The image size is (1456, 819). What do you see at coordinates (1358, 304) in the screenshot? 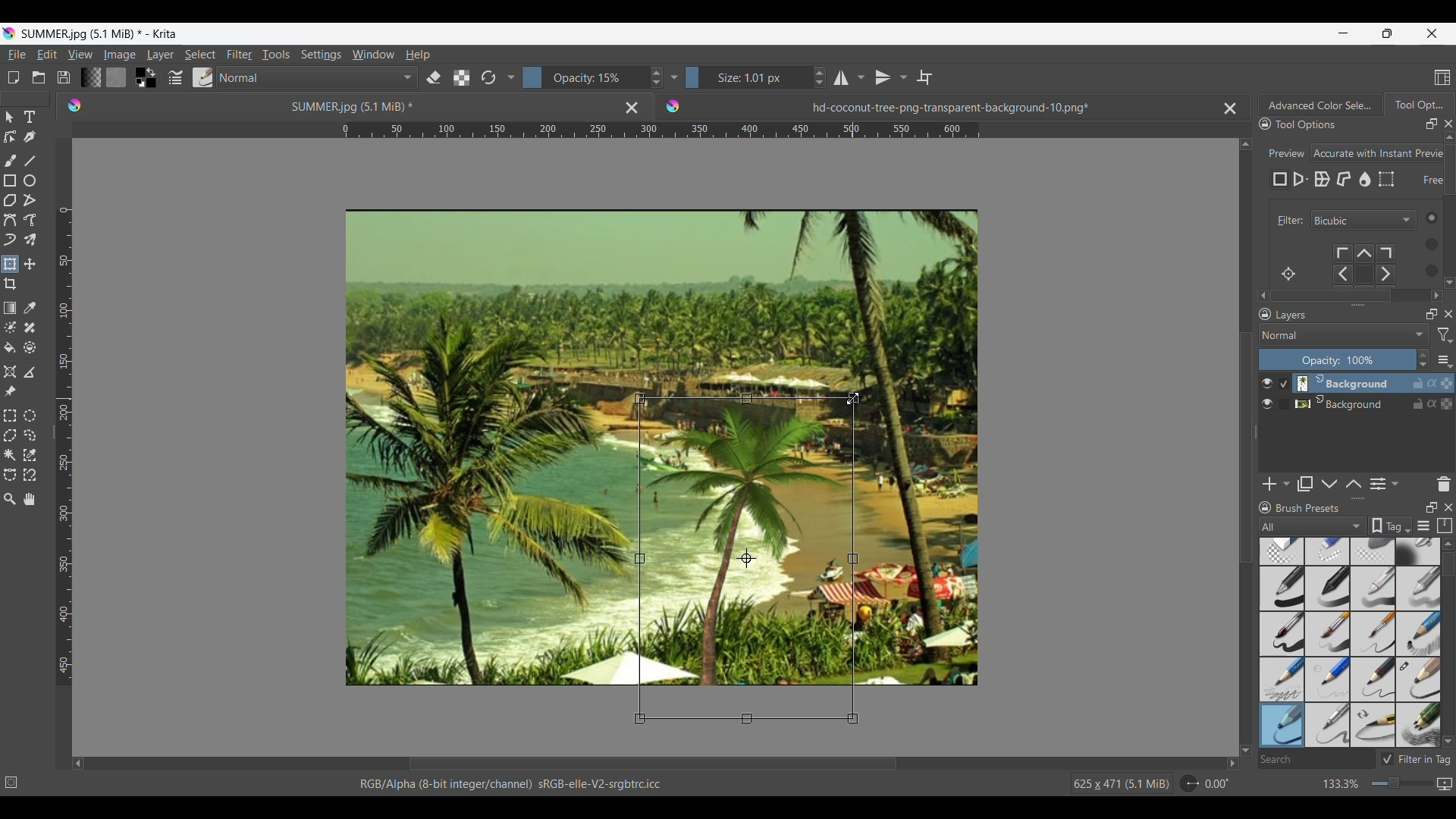
I see `Increase/Decrease width of panels attached to this line` at bounding box center [1358, 304].